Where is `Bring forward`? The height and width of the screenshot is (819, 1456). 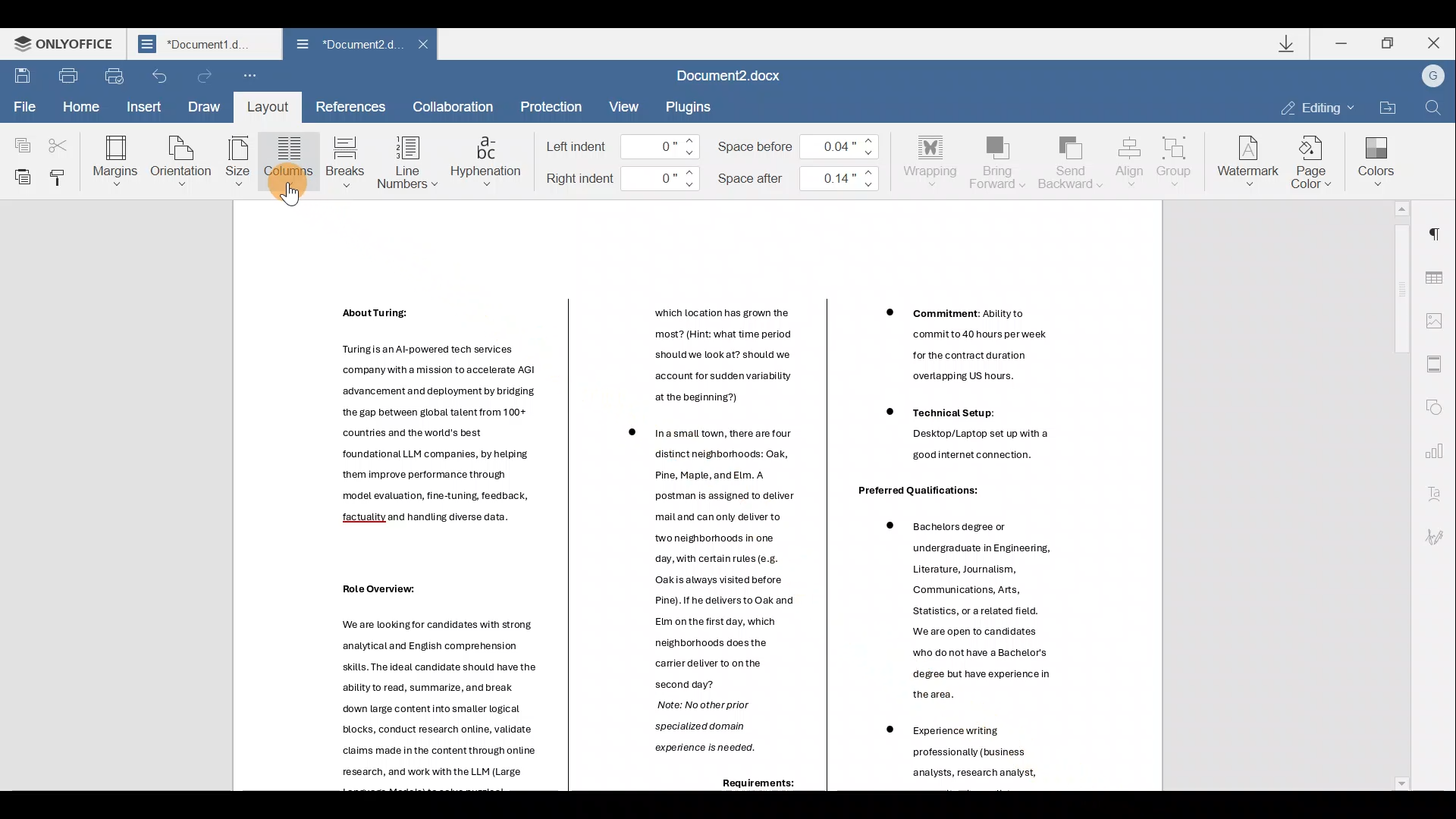
Bring forward is located at coordinates (998, 160).